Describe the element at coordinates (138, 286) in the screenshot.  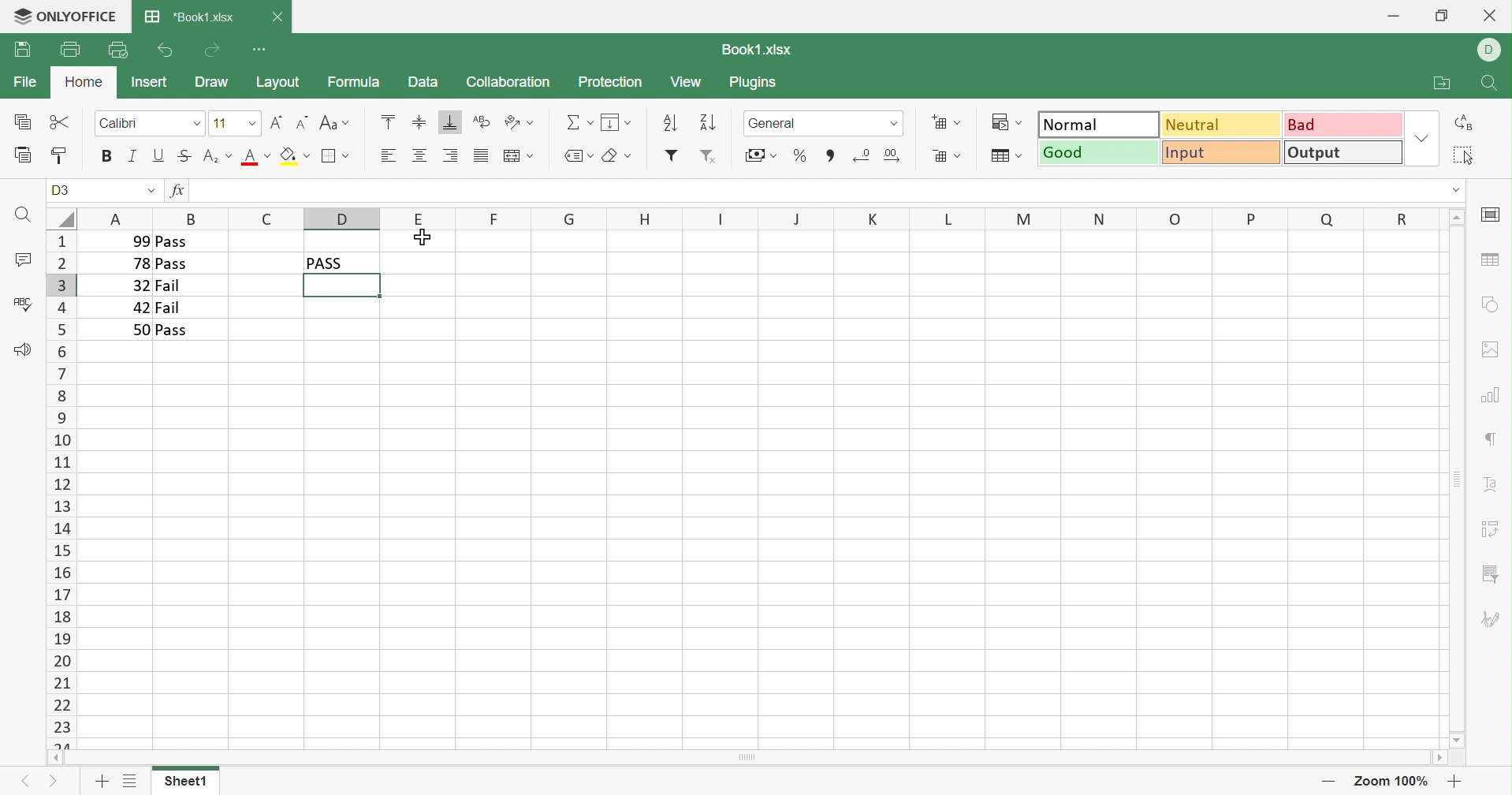
I see `32` at that location.